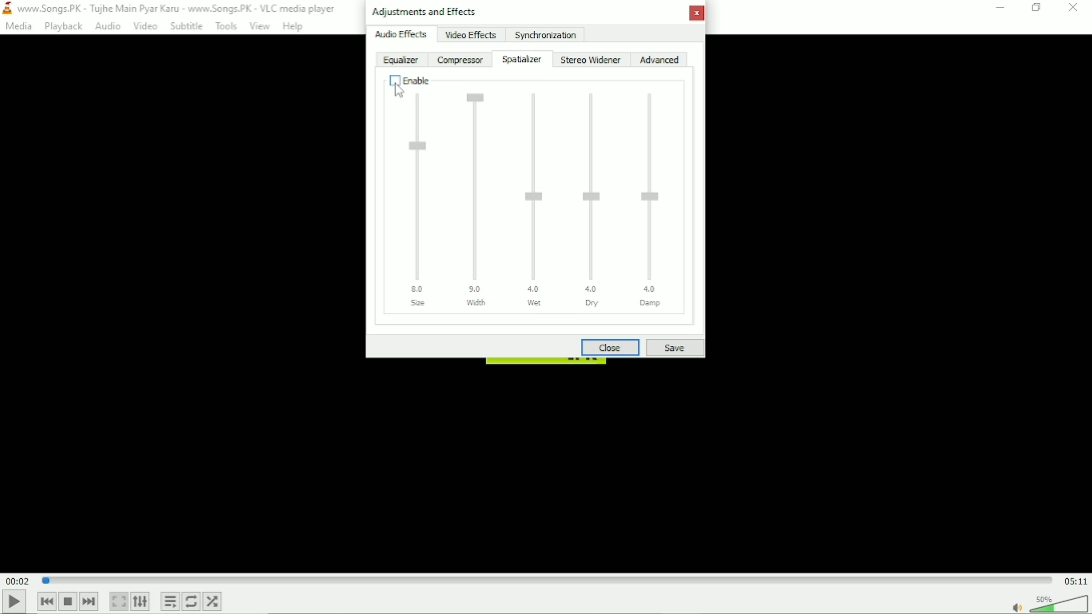  What do you see at coordinates (63, 26) in the screenshot?
I see `Playback` at bounding box center [63, 26].